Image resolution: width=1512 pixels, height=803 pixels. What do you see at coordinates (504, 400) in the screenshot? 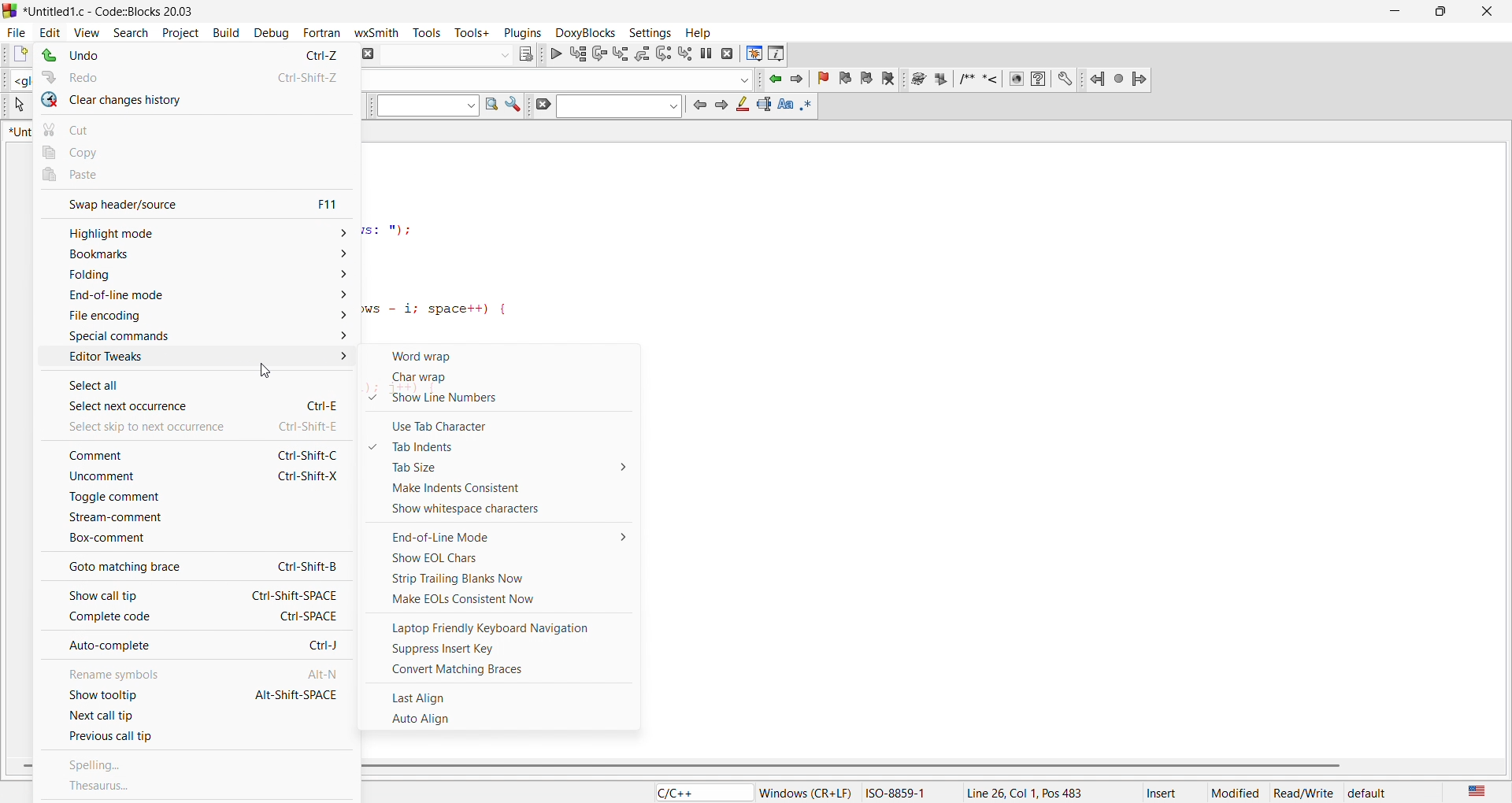
I see `show line numbers` at bounding box center [504, 400].